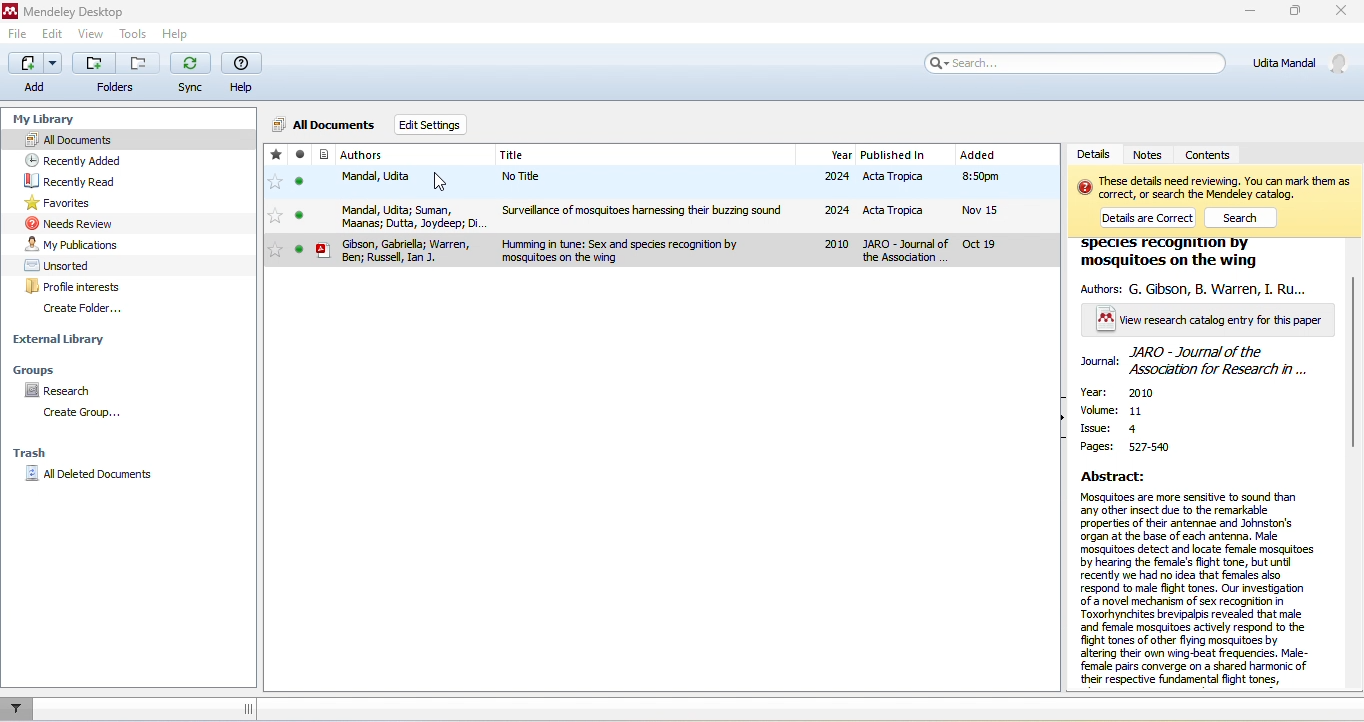 Image resolution: width=1364 pixels, height=722 pixels. Describe the element at coordinates (19, 34) in the screenshot. I see `file` at that location.